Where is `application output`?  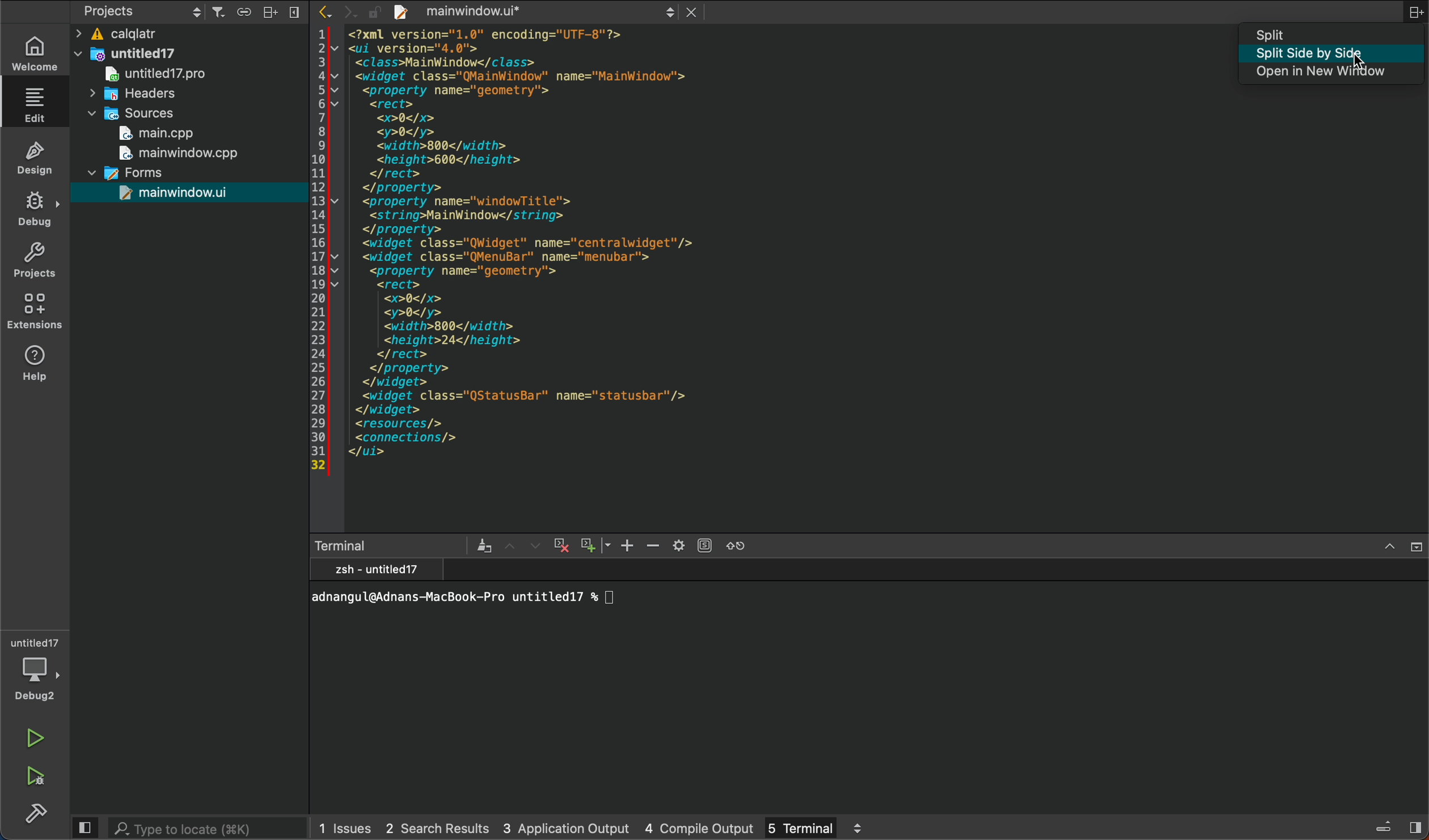 application output is located at coordinates (566, 826).